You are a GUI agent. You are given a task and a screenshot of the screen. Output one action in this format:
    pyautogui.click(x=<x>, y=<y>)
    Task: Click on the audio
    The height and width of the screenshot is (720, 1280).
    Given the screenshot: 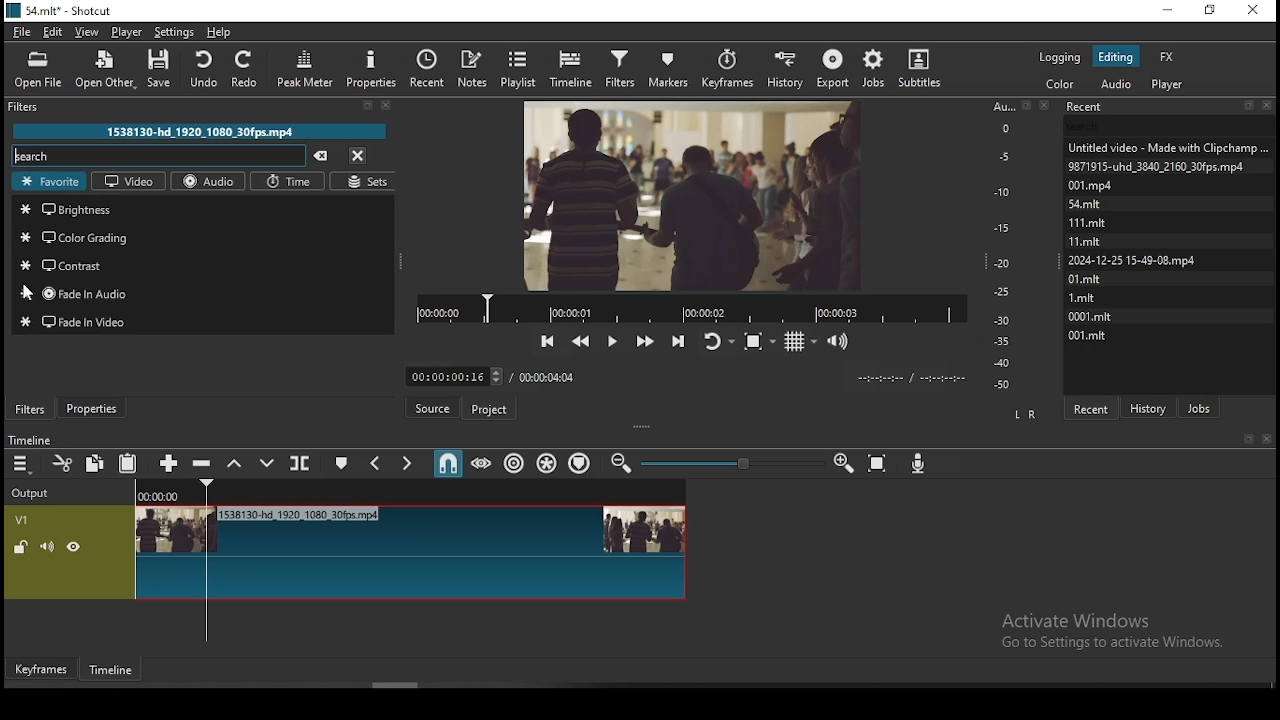 What is the action you would take?
    pyautogui.click(x=210, y=181)
    